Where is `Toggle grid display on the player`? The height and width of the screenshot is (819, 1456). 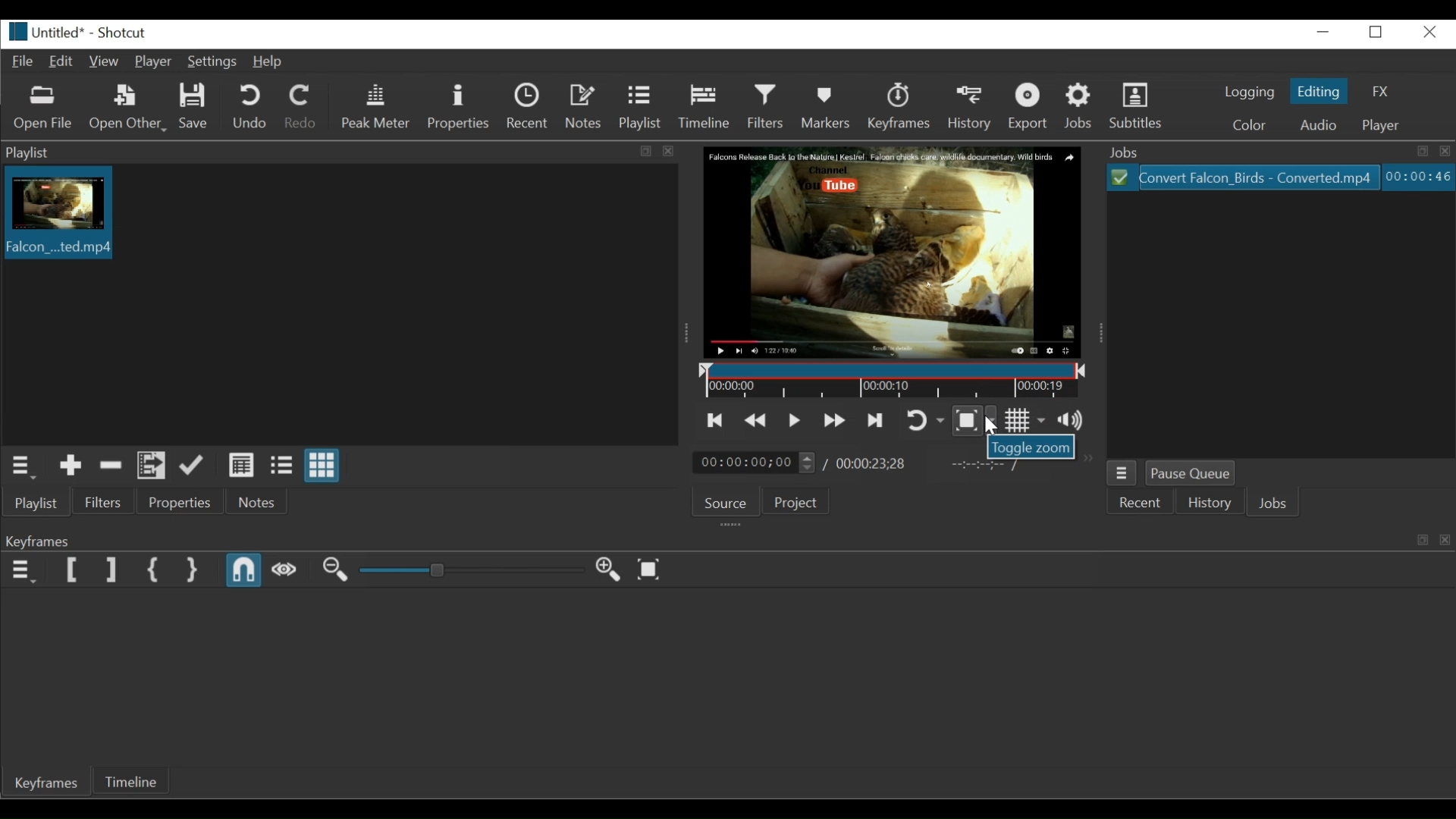 Toggle grid display on the player is located at coordinates (1028, 419).